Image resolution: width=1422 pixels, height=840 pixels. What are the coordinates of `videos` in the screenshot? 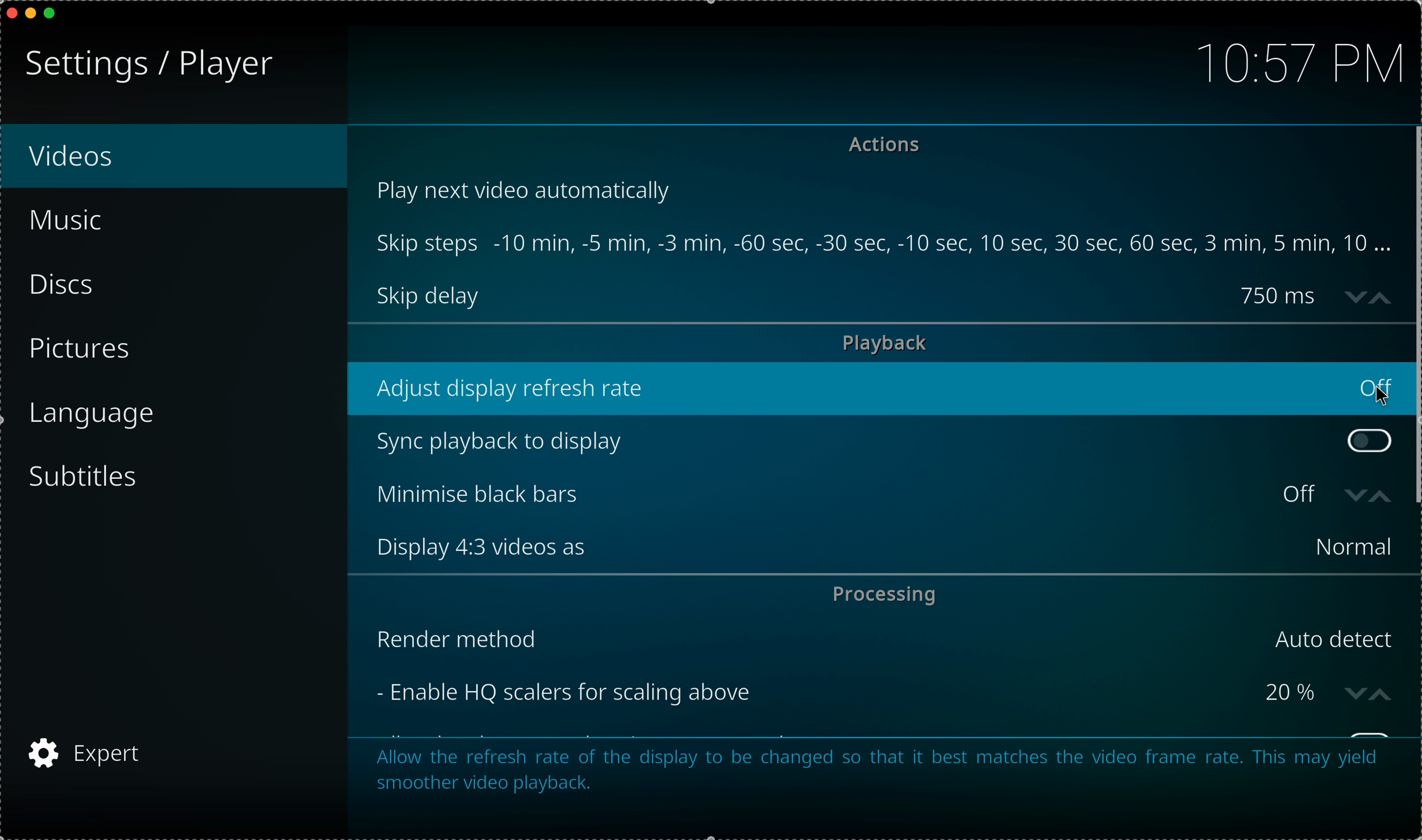 It's located at (174, 158).